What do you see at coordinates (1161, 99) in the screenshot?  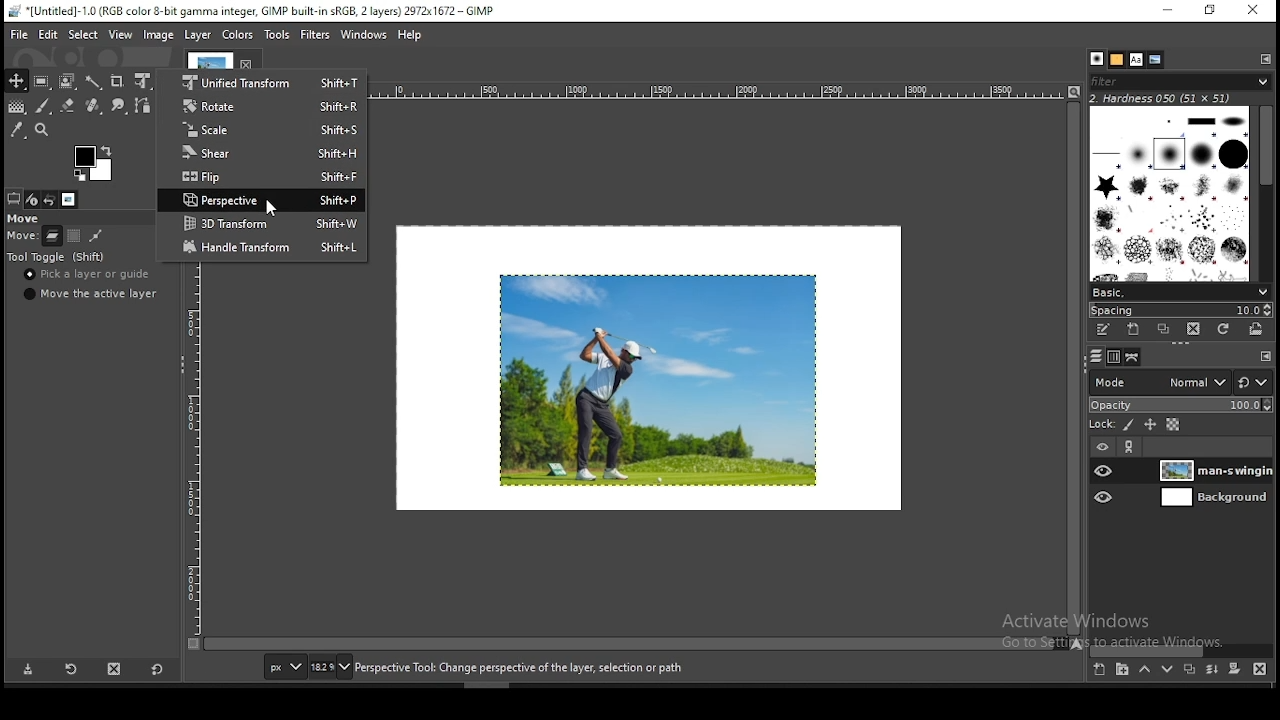 I see `hardness 050 (51x51)` at bounding box center [1161, 99].